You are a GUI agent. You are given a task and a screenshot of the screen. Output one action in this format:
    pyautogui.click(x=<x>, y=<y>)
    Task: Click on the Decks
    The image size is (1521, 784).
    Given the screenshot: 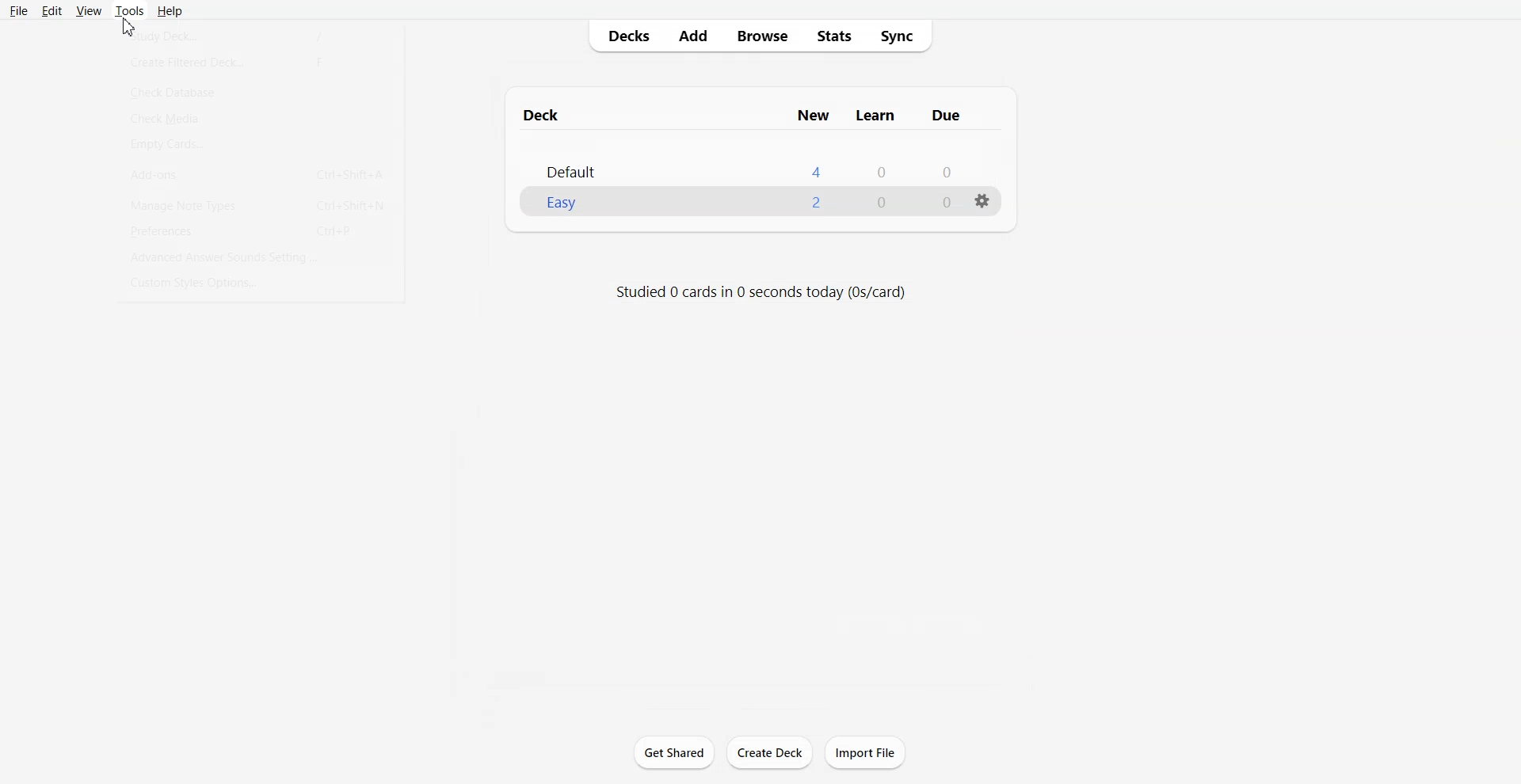 What is the action you would take?
    pyautogui.click(x=623, y=36)
    